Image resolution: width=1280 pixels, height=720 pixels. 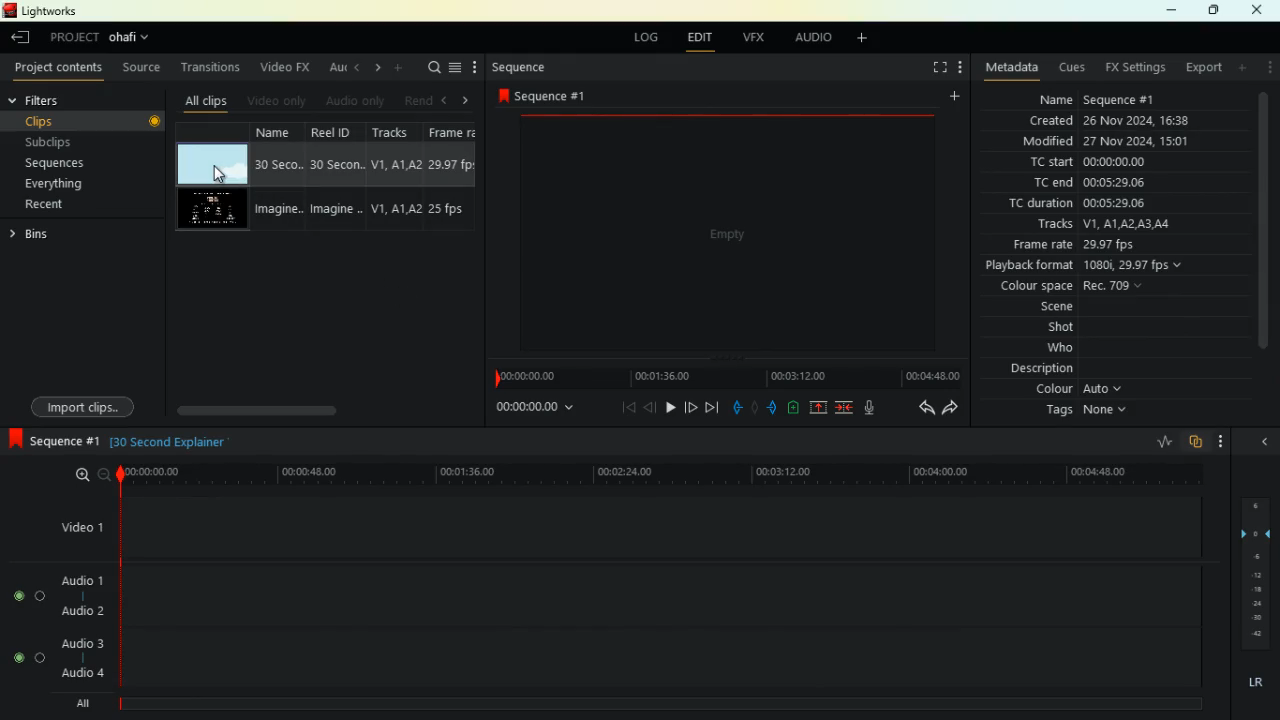 I want to click on who, so click(x=1066, y=347).